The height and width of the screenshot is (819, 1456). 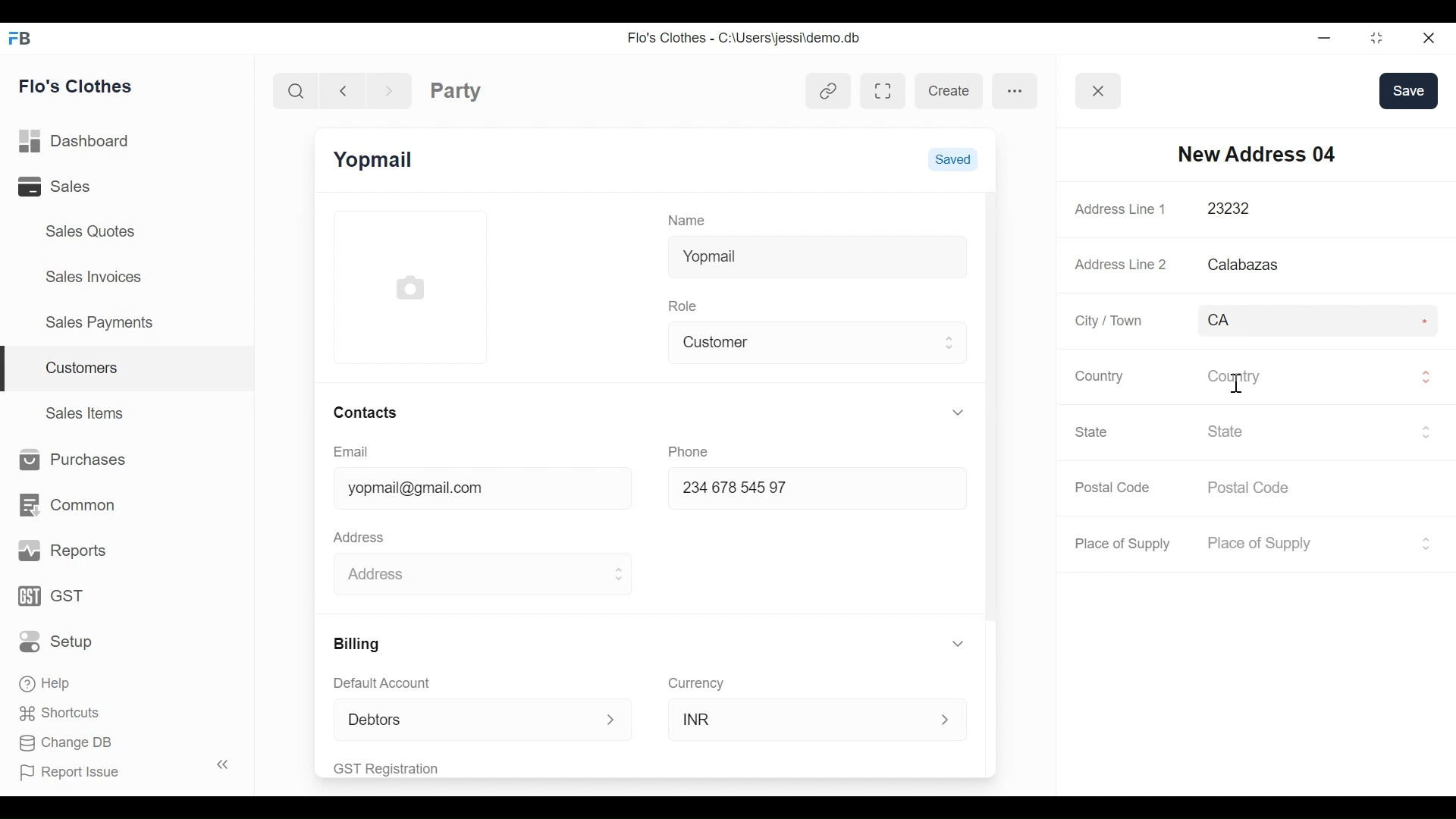 What do you see at coordinates (801, 718) in the screenshot?
I see `INR` at bounding box center [801, 718].